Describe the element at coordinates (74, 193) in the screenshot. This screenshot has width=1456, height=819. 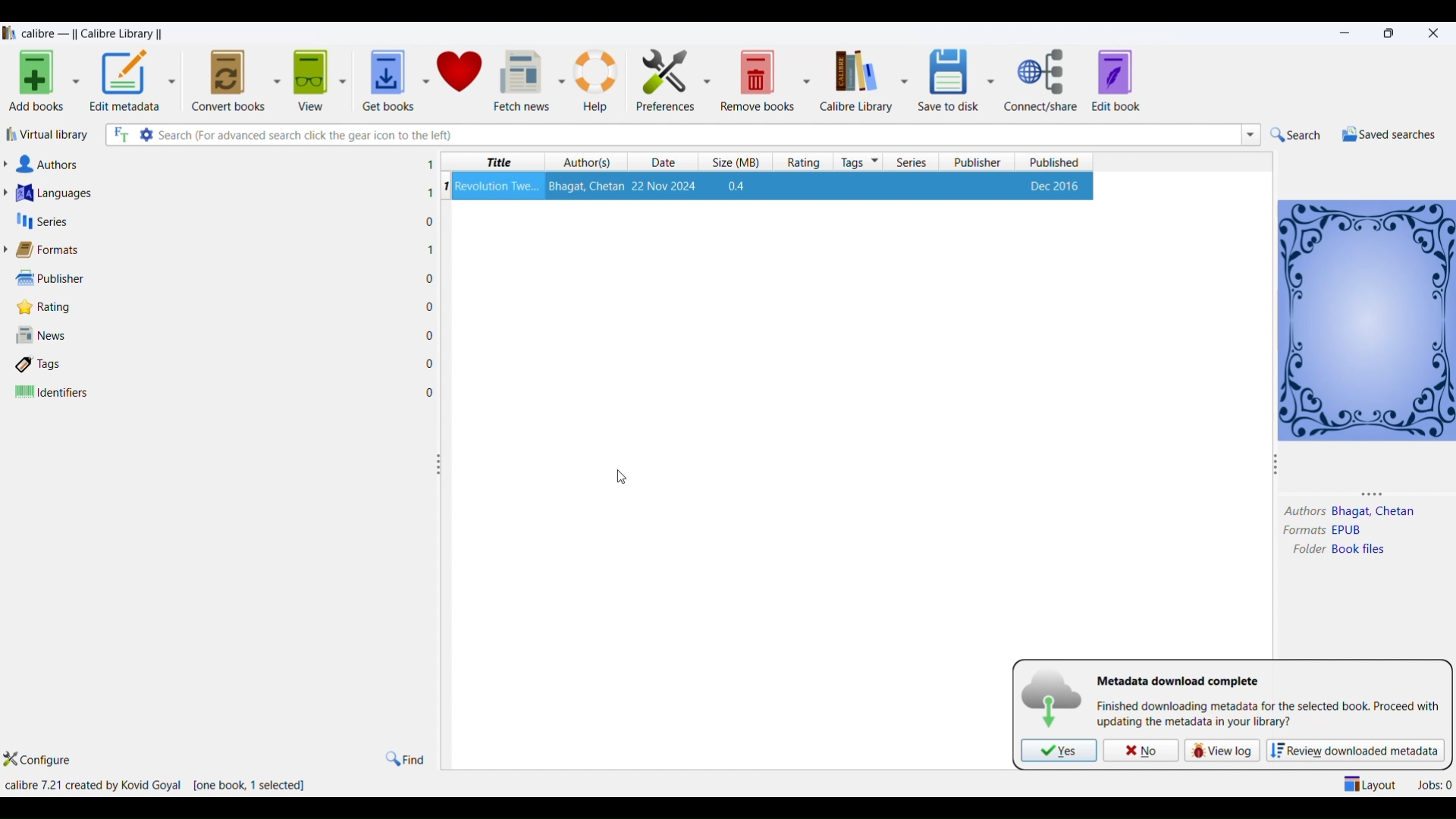
I see `languages and number of languages` at that location.